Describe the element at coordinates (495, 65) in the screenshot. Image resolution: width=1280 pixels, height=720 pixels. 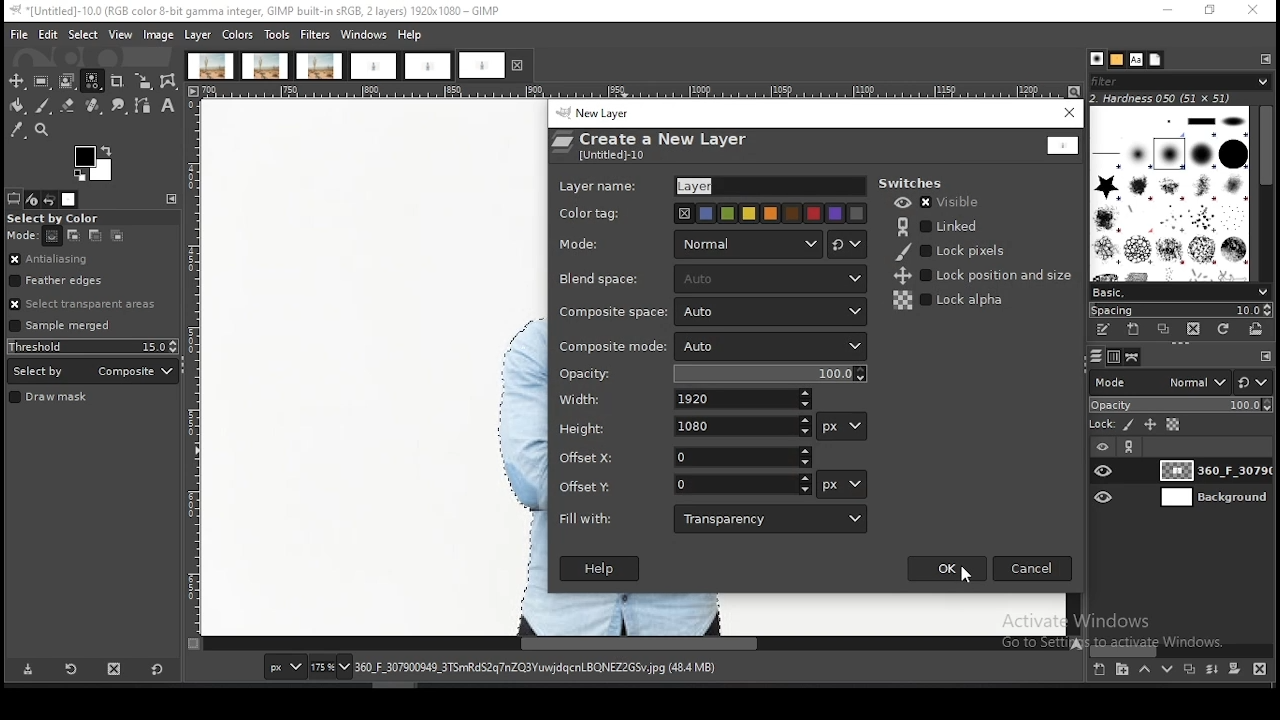
I see `project tab` at that location.